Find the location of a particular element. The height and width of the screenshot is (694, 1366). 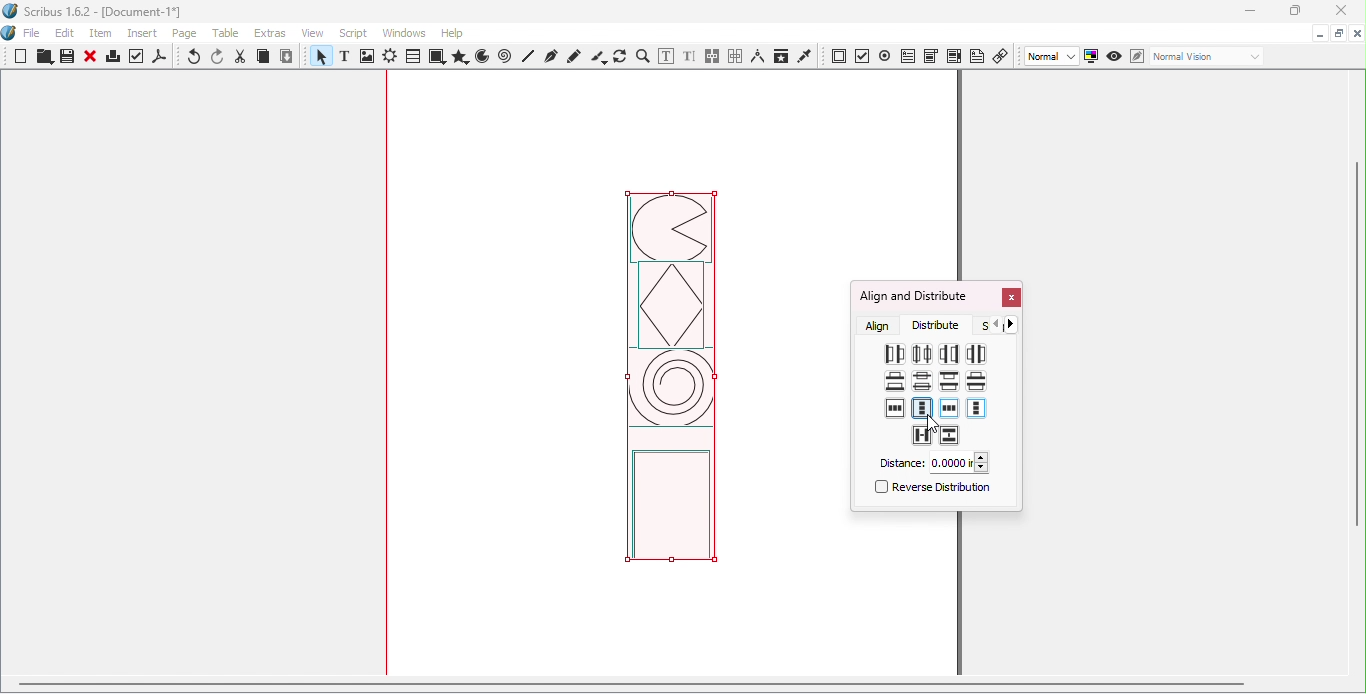

Edit contents of frame is located at coordinates (665, 56).